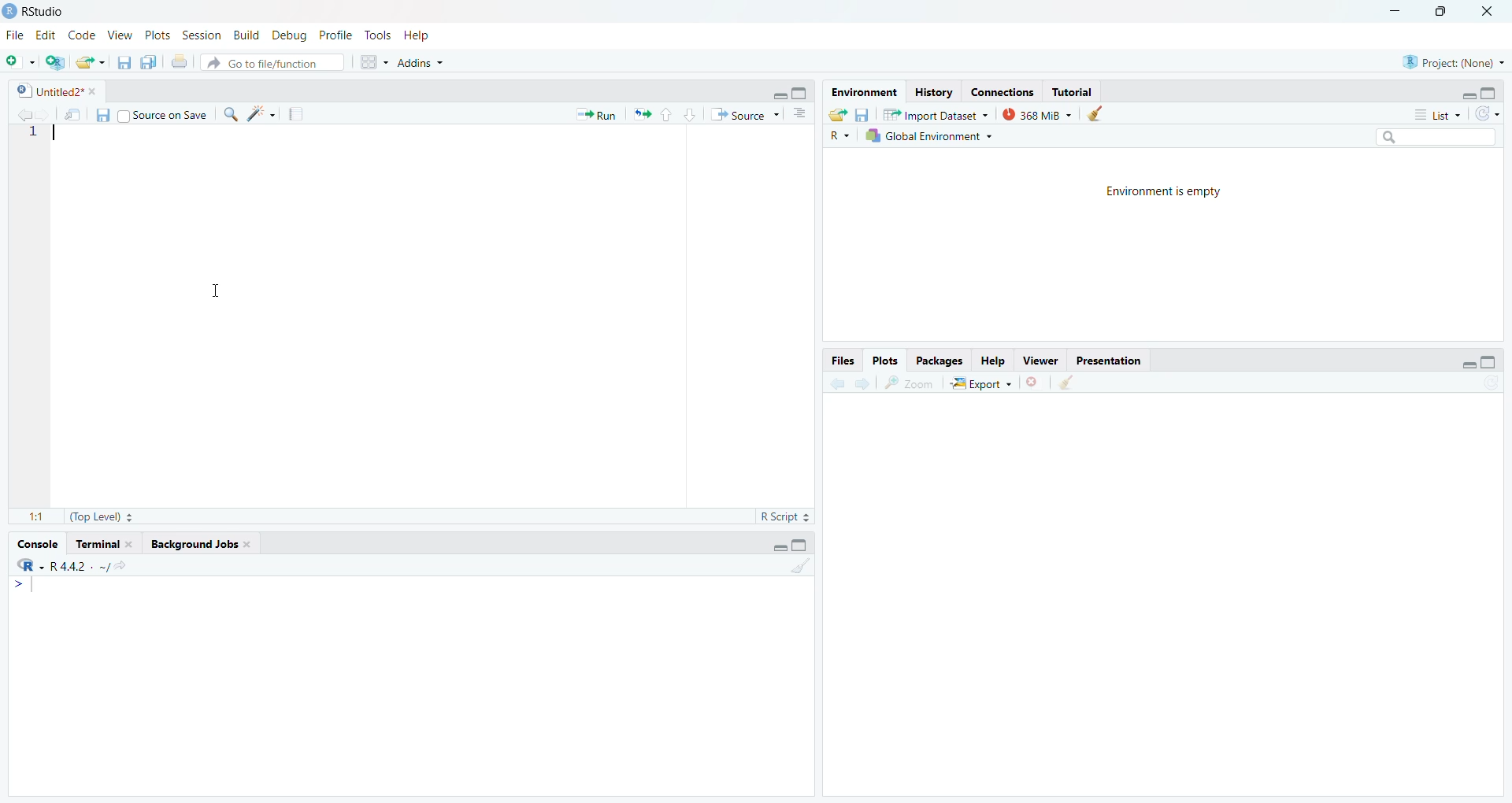  What do you see at coordinates (642, 115) in the screenshot?
I see `export` at bounding box center [642, 115].